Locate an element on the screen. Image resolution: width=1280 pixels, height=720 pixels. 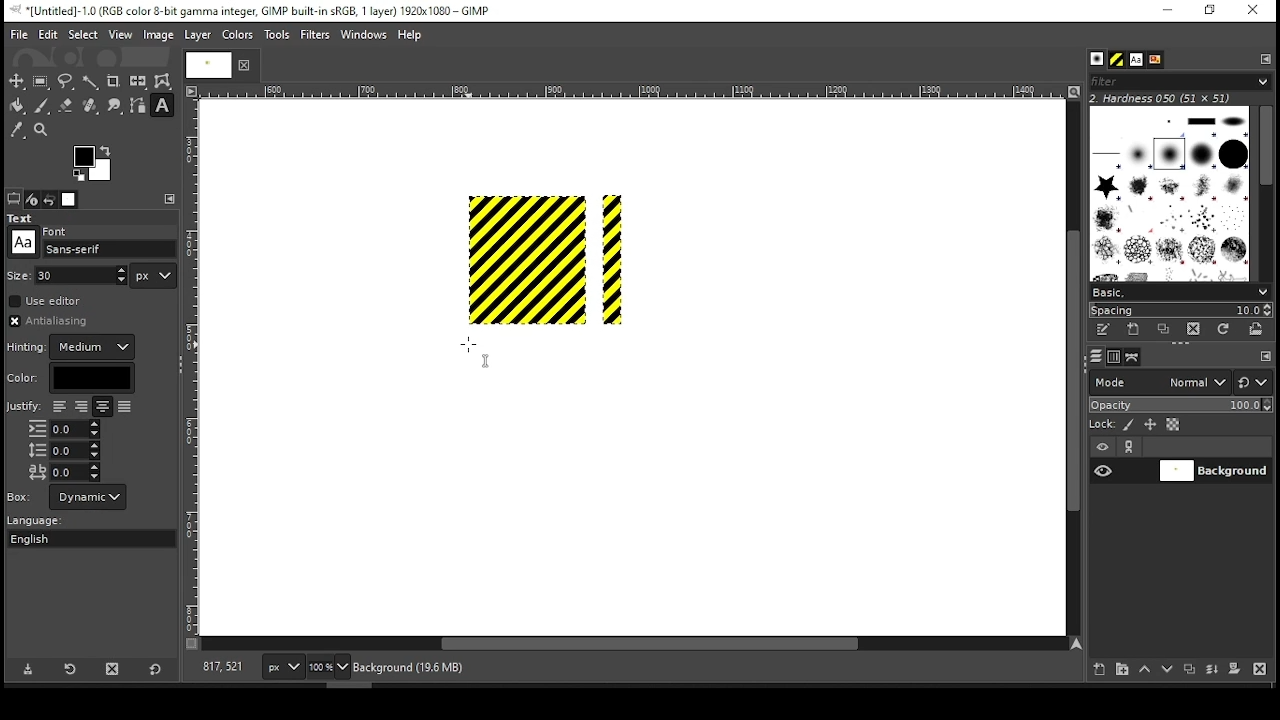
background (28.0mb) is located at coordinates (413, 668).